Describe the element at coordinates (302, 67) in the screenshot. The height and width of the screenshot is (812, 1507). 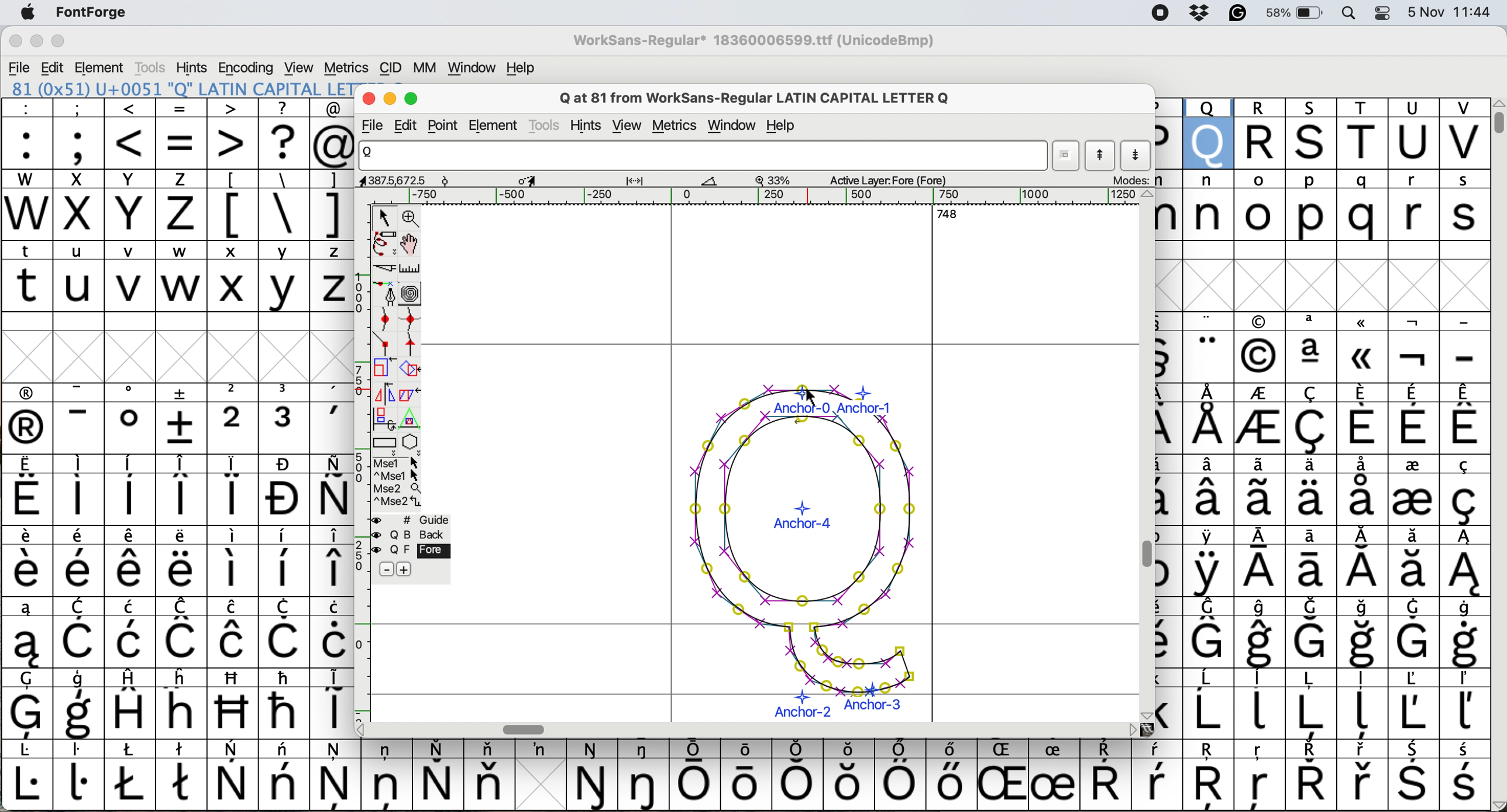
I see `view` at that location.